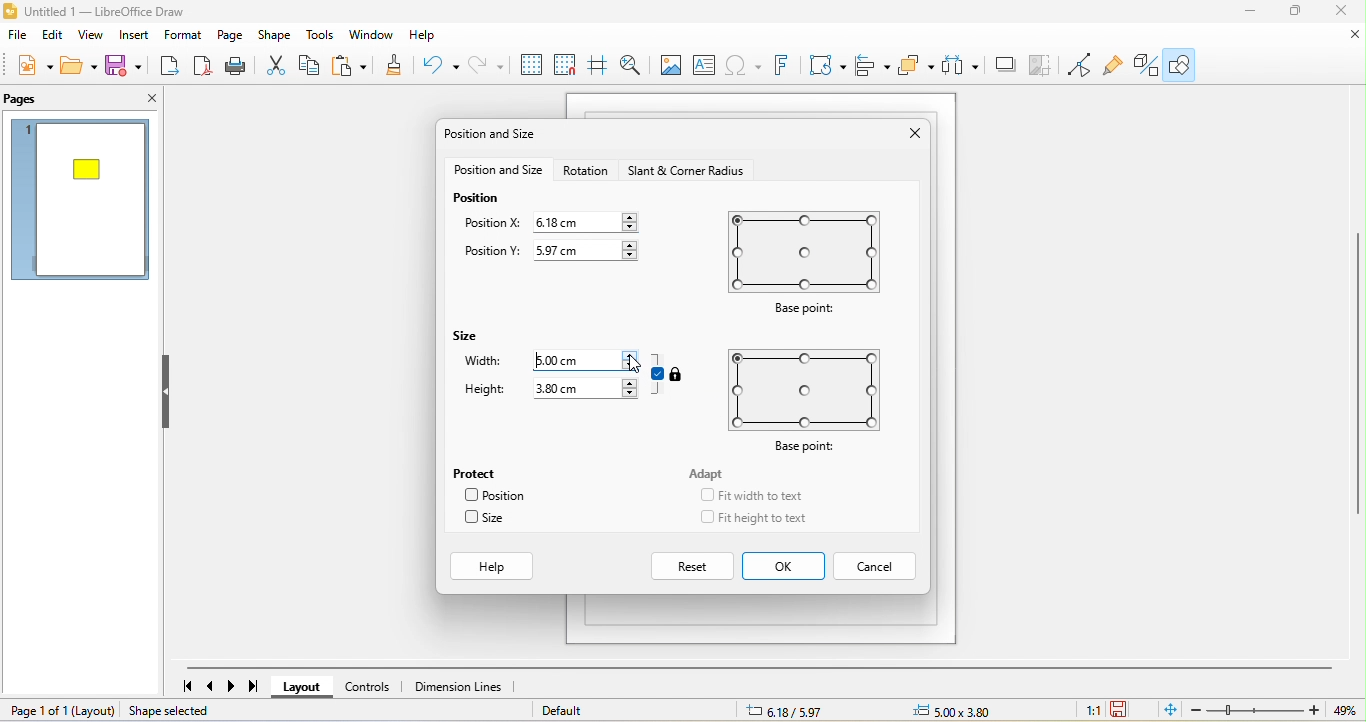 Image resolution: width=1366 pixels, height=722 pixels. What do you see at coordinates (168, 394) in the screenshot?
I see `hide` at bounding box center [168, 394].